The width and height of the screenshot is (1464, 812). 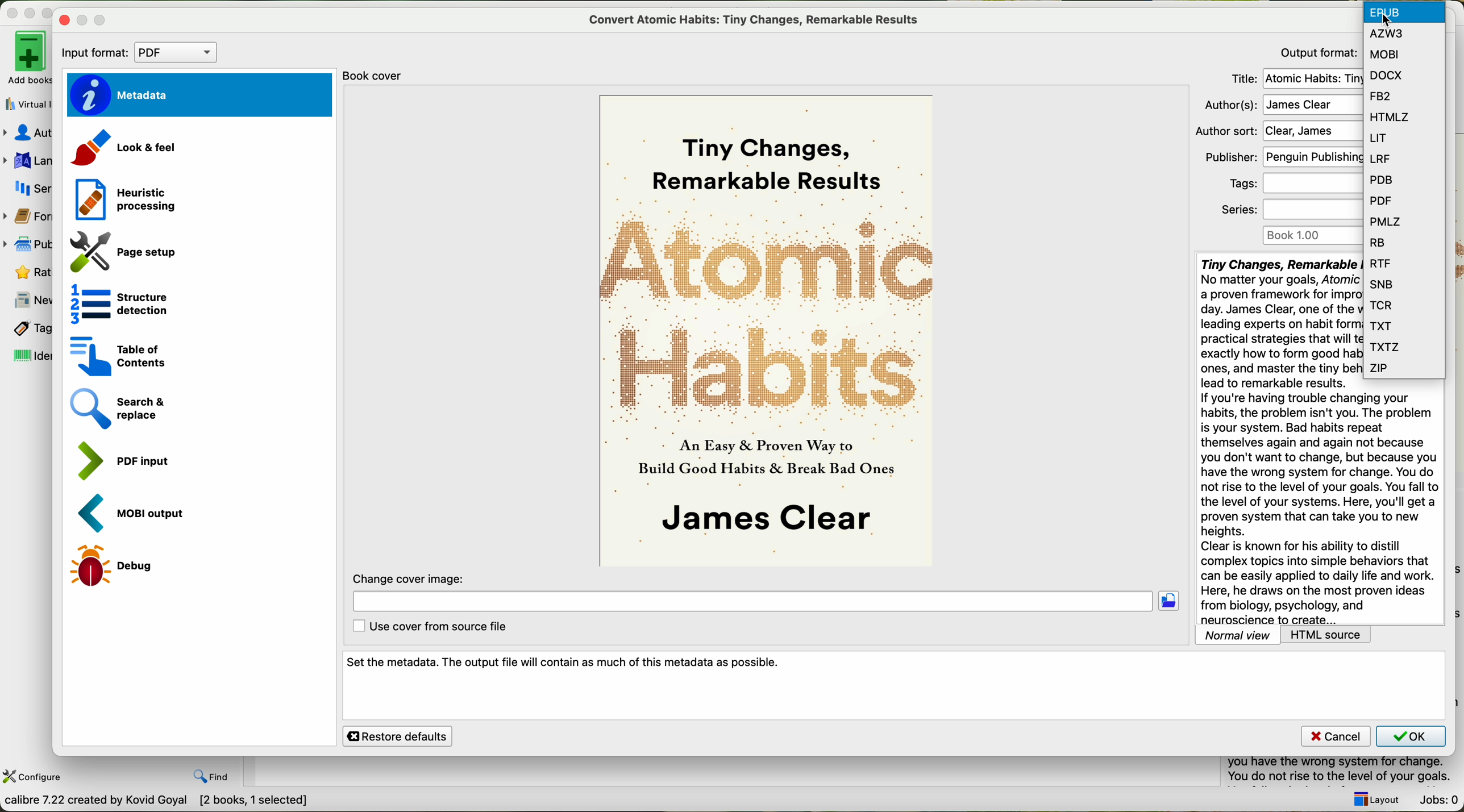 What do you see at coordinates (26, 60) in the screenshot?
I see `add books` at bounding box center [26, 60].